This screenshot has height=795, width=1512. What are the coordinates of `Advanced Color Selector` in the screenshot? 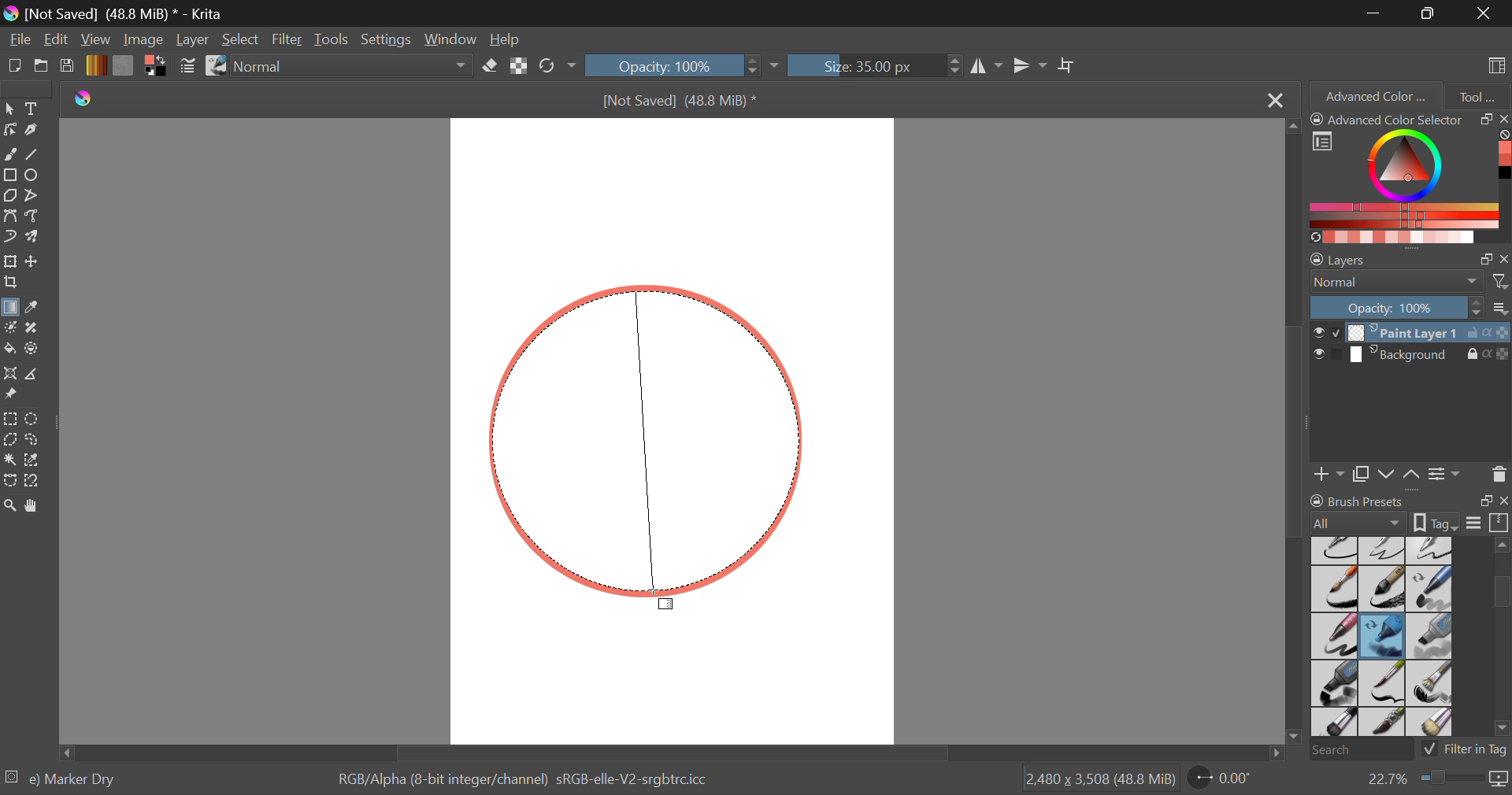 It's located at (1410, 177).